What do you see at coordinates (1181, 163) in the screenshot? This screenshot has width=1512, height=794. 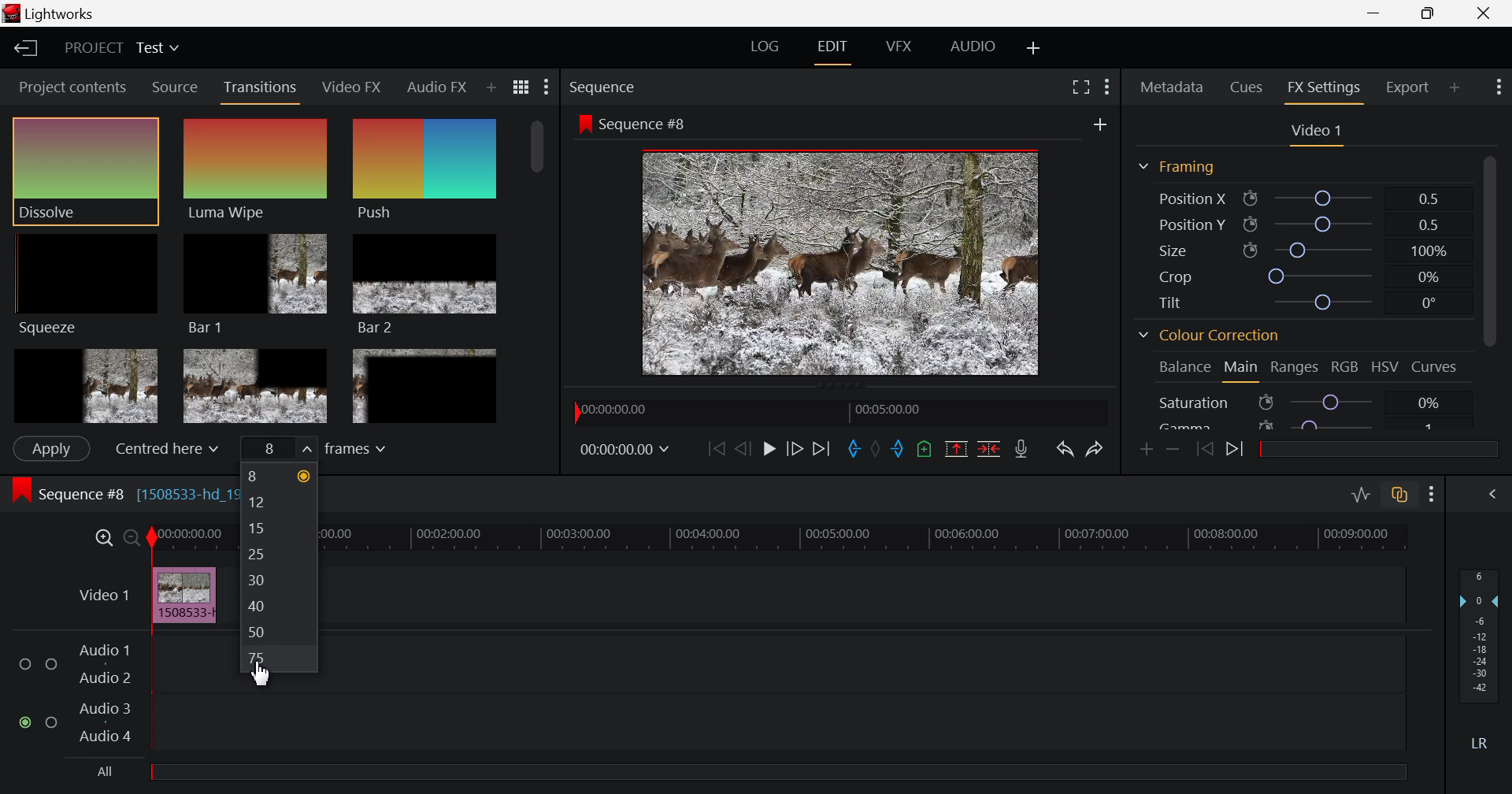 I see `Framing Section` at bounding box center [1181, 163].